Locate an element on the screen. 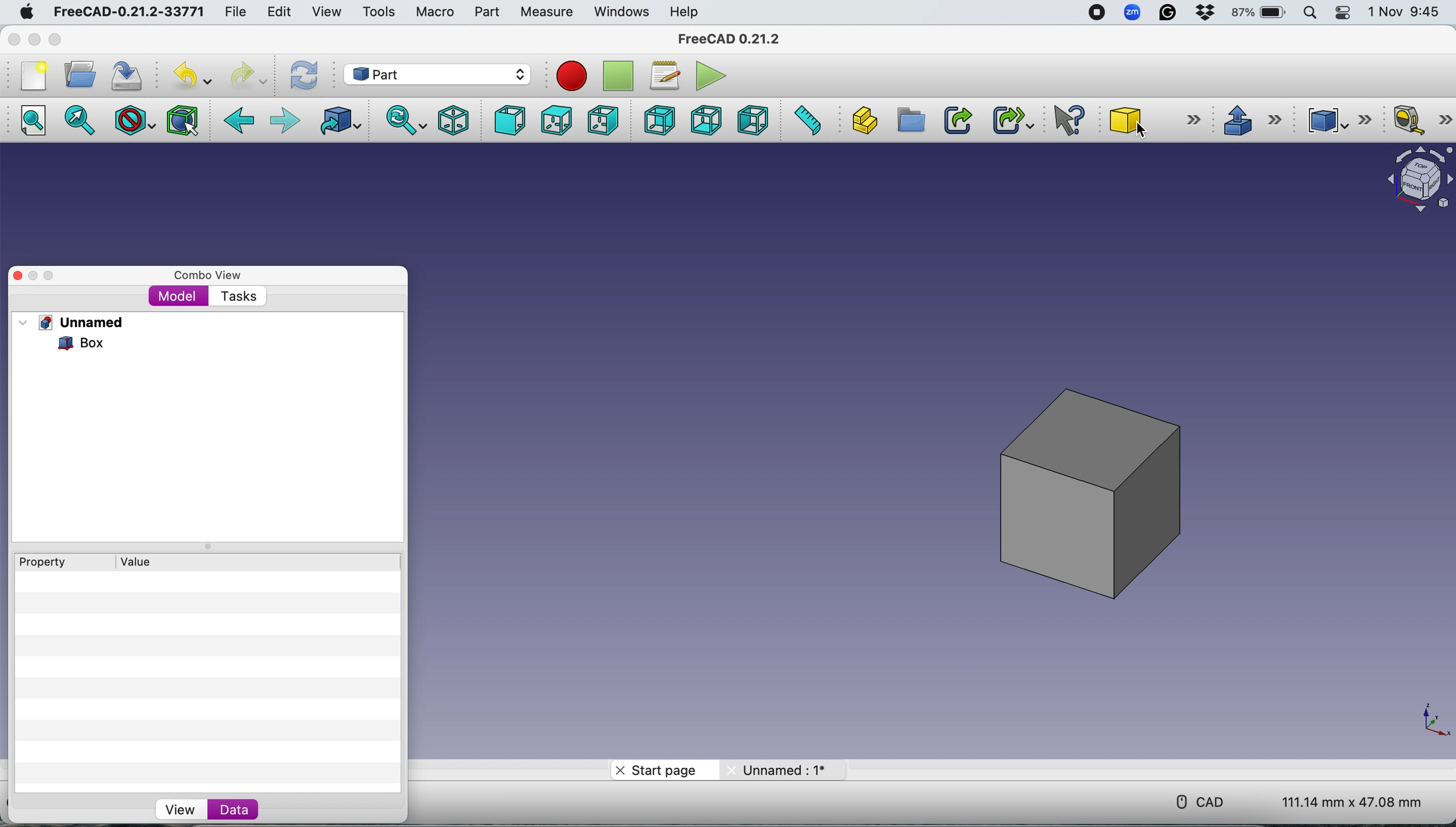  Execute macros is located at coordinates (714, 74).